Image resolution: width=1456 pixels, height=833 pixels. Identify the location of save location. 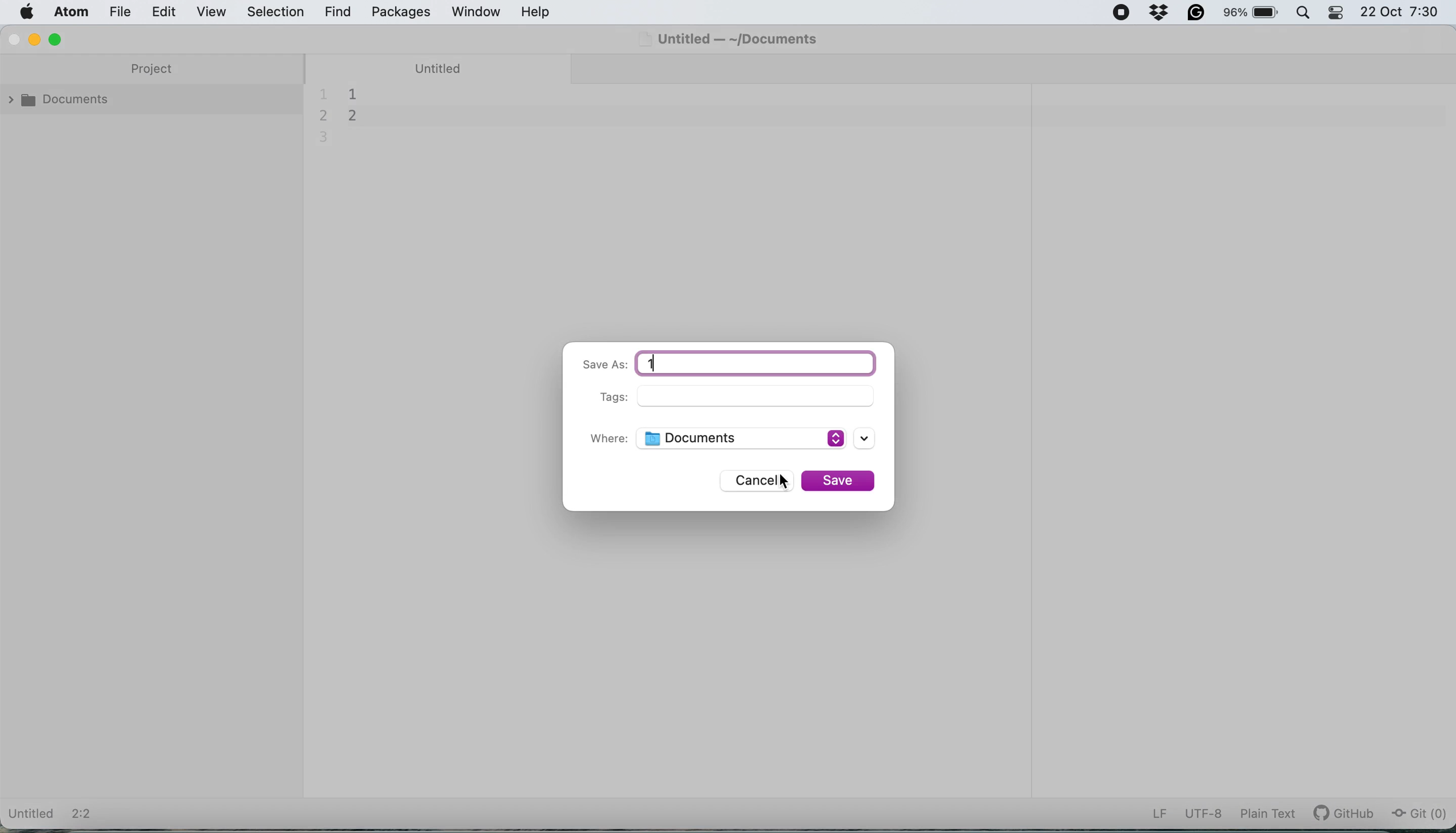
(755, 439).